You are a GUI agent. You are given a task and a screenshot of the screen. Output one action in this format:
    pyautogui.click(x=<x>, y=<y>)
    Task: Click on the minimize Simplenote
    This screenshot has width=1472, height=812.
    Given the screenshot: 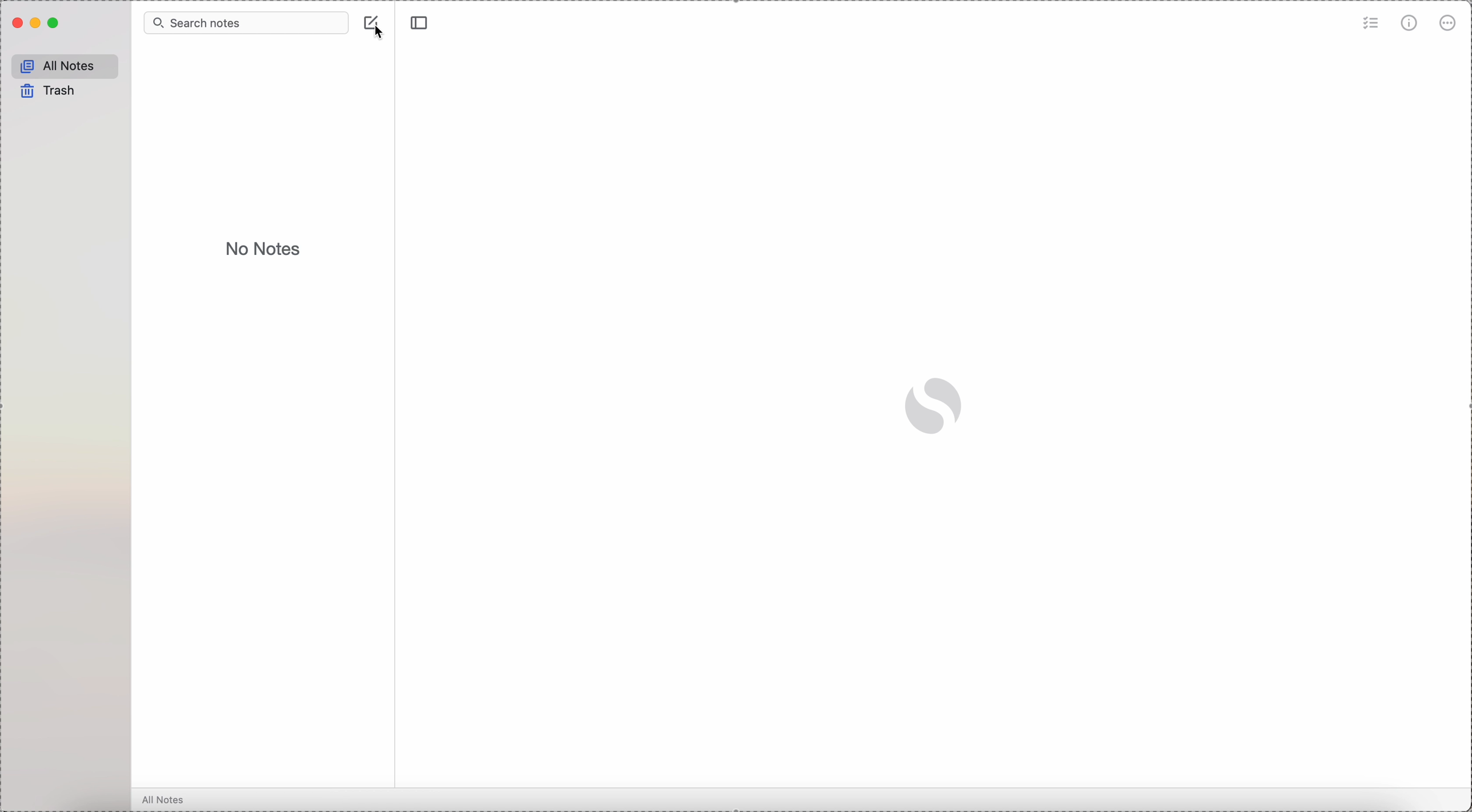 What is the action you would take?
    pyautogui.click(x=36, y=25)
    